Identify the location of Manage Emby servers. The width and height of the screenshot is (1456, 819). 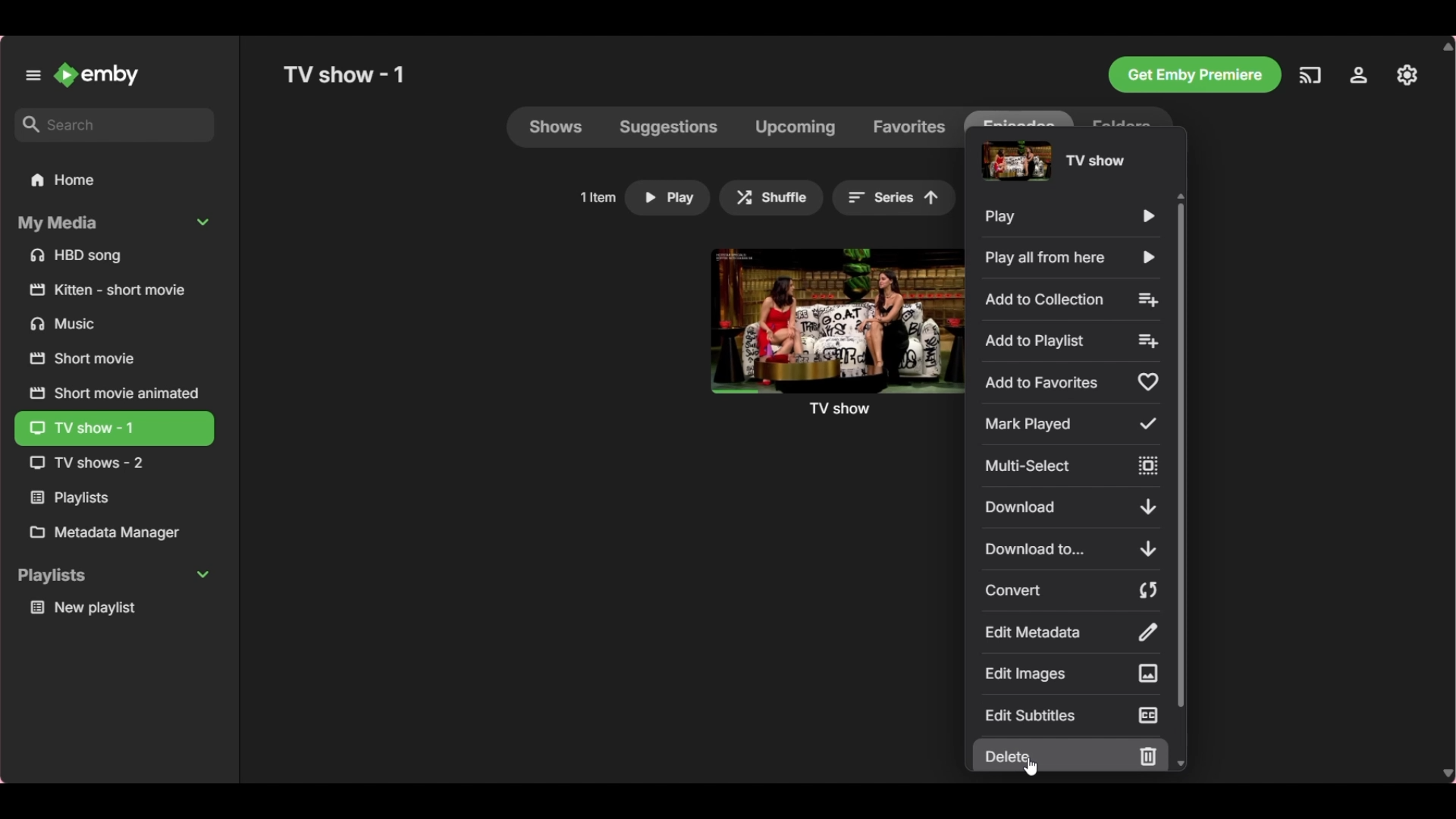
(1407, 75).